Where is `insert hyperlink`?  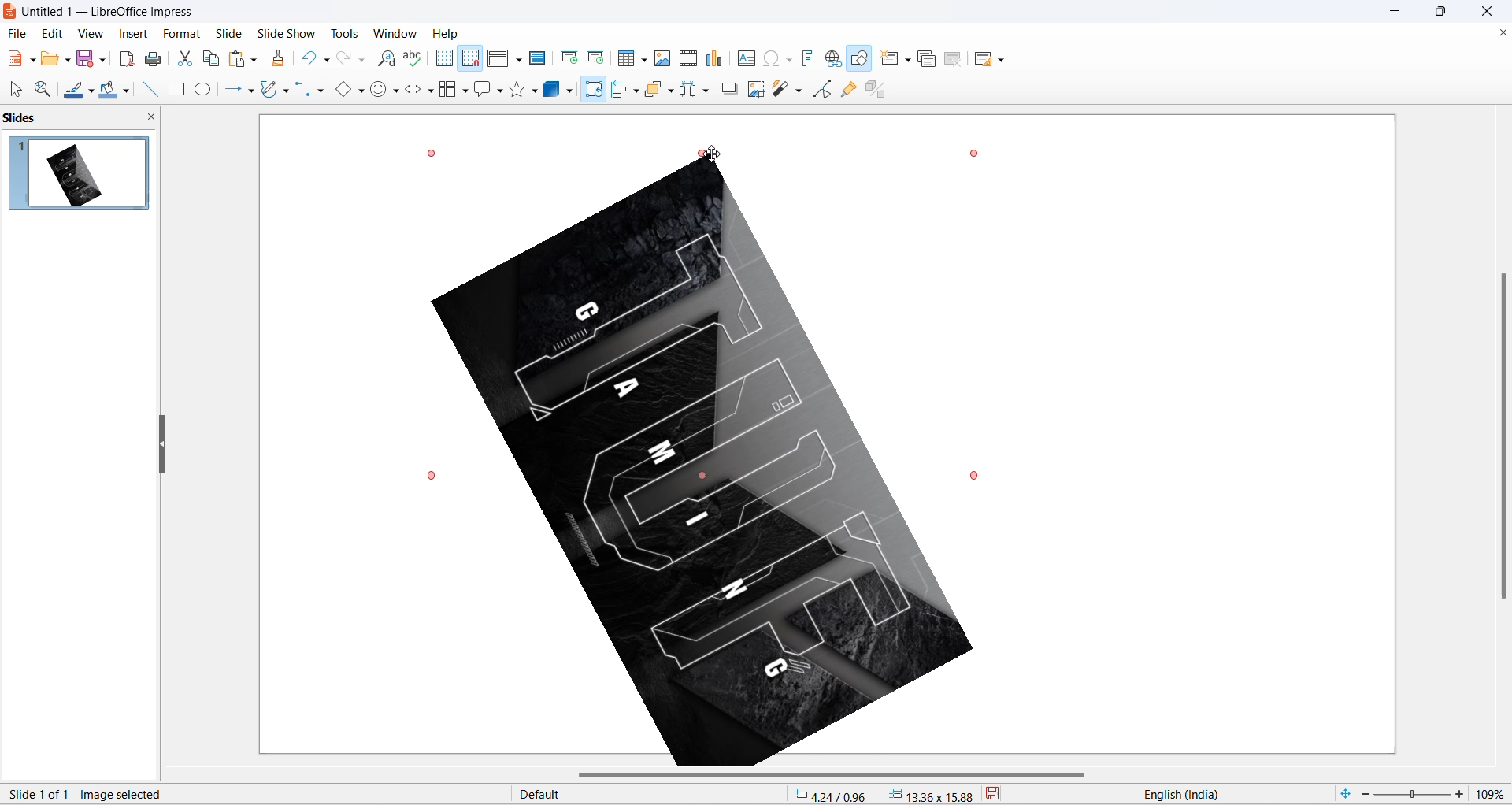 insert hyperlink is located at coordinates (835, 60).